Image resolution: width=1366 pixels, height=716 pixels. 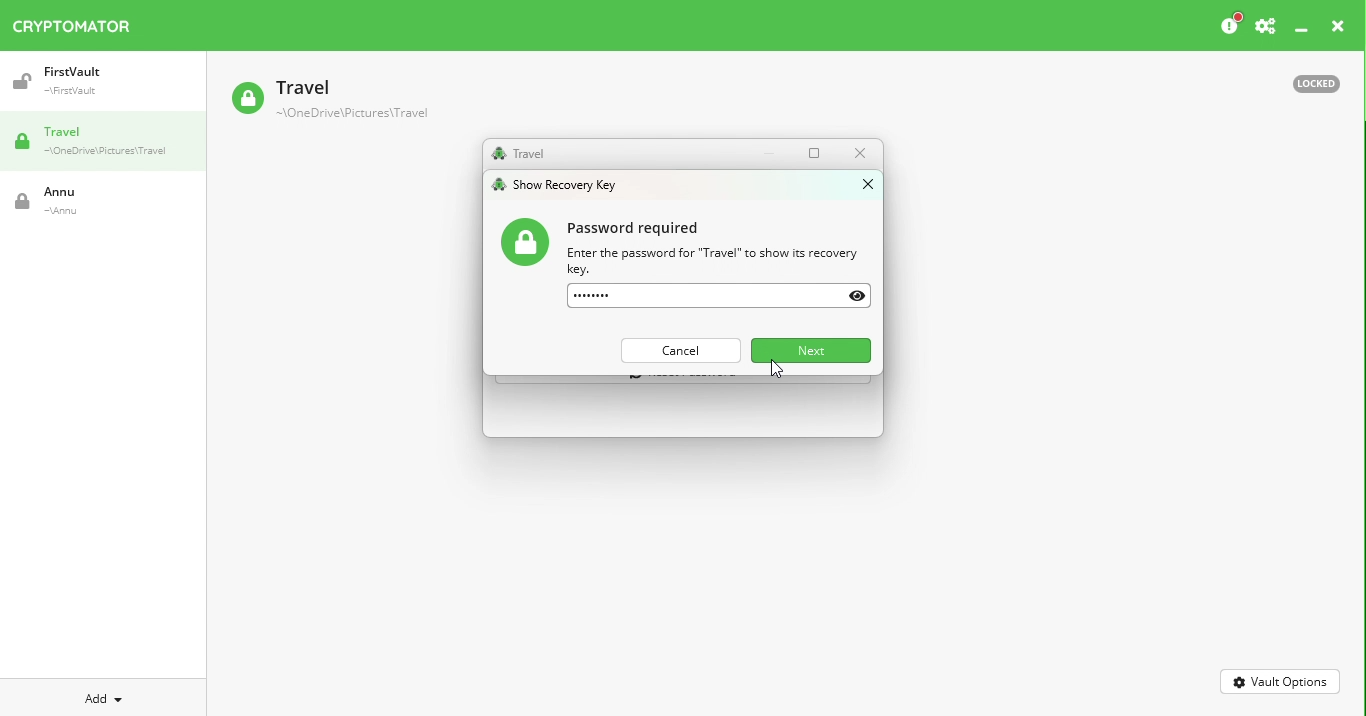 I want to click on Enter password, so click(x=720, y=296).